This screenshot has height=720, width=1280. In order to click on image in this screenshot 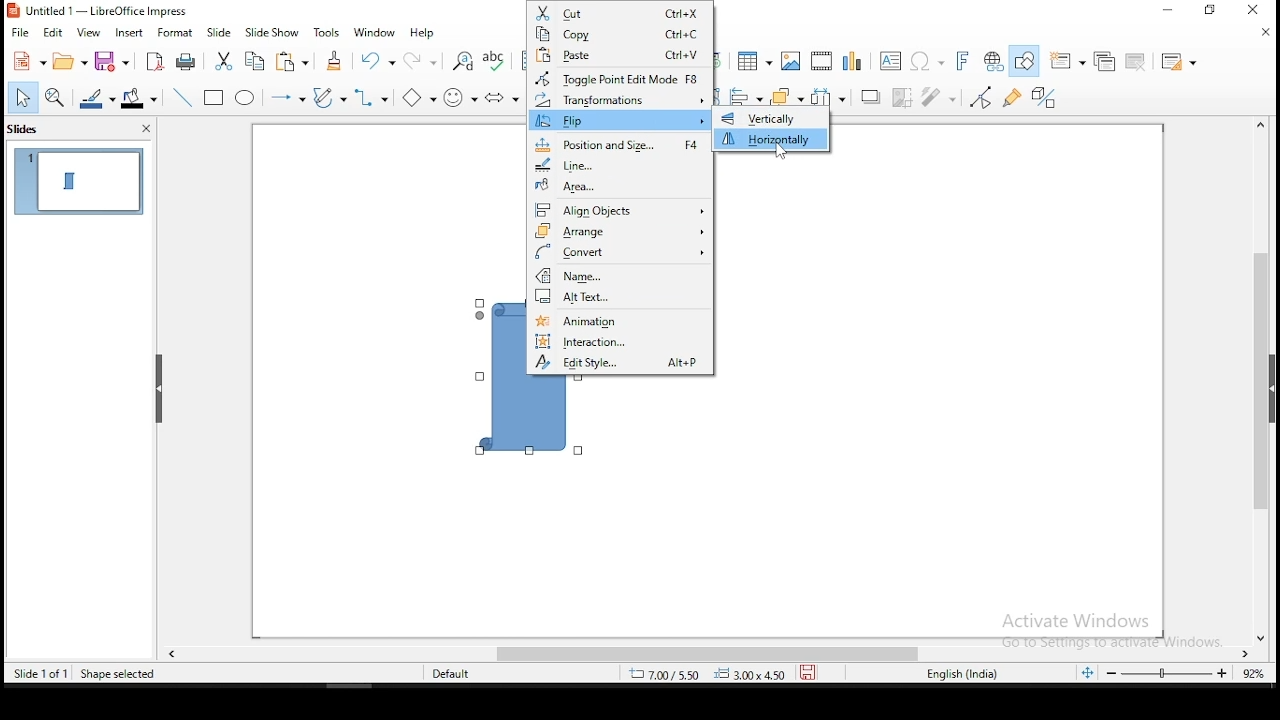, I will do `click(792, 61)`.